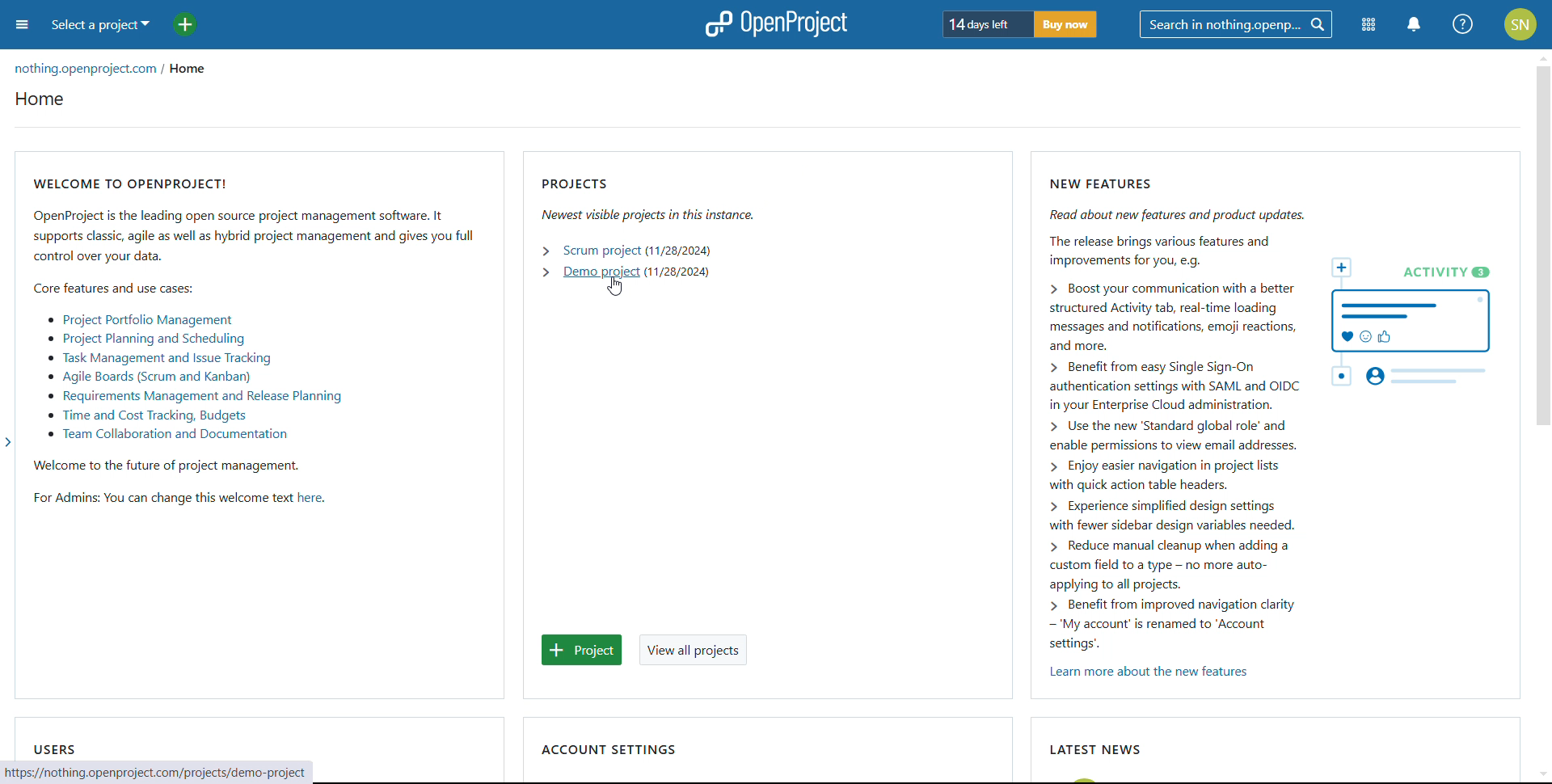 The height and width of the screenshot is (784, 1552). What do you see at coordinates (99, 25) in the screenshot?
I see `select a project` at bounding box center [99, 25].